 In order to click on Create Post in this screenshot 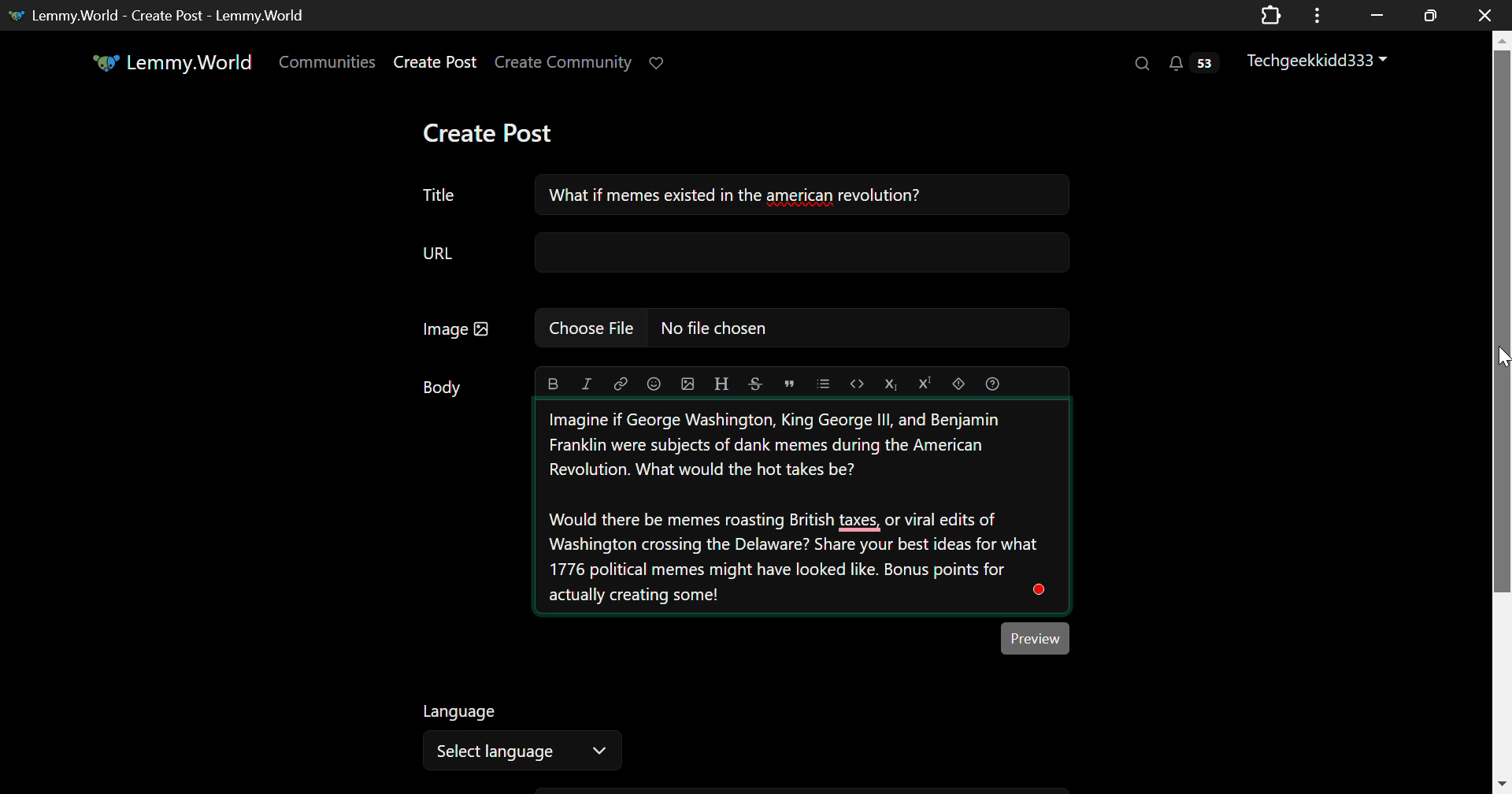, I will do `click(498, 132)`.